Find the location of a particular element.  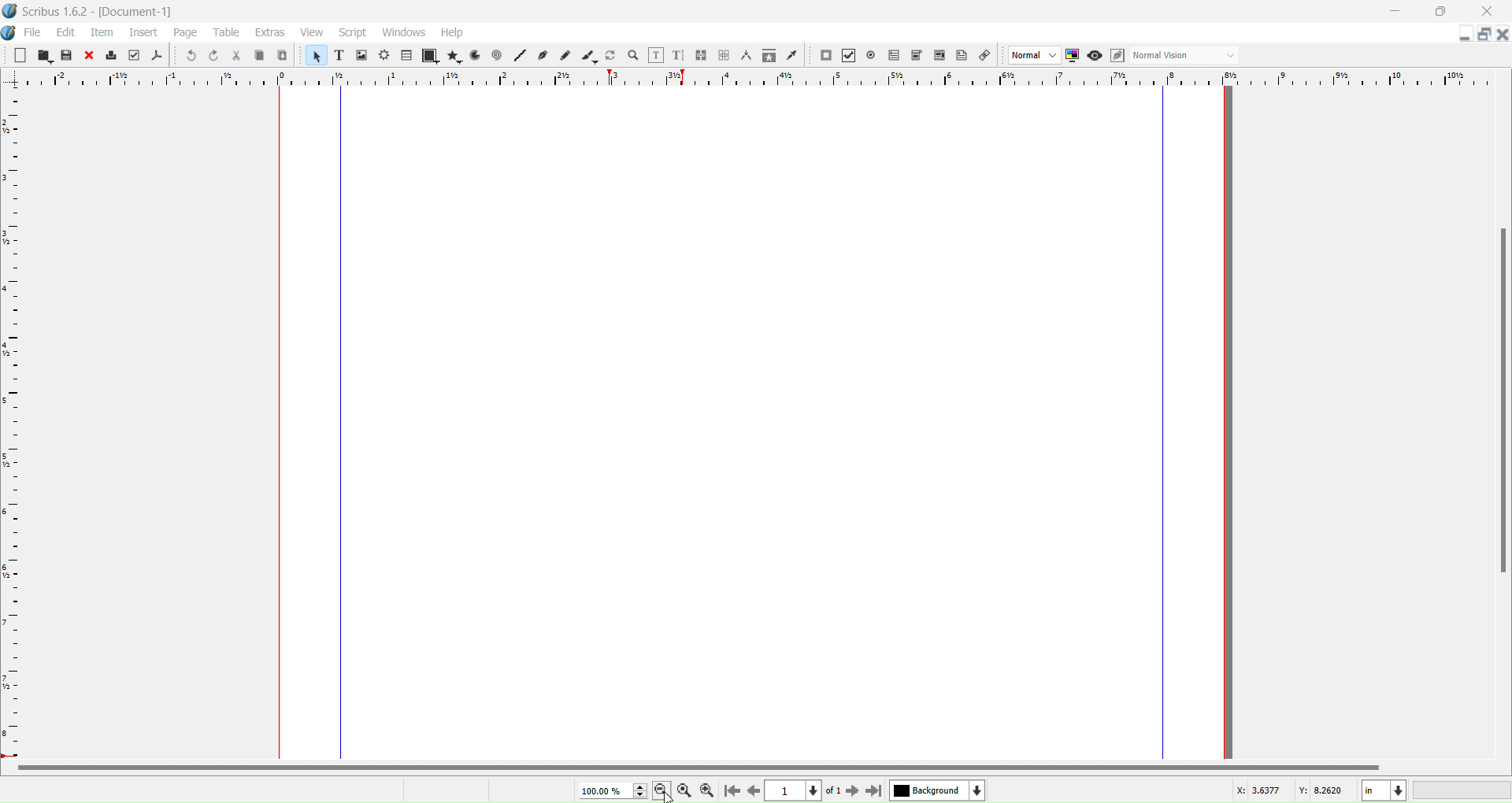

Preview Mode is located at coordinates (1095, 55).